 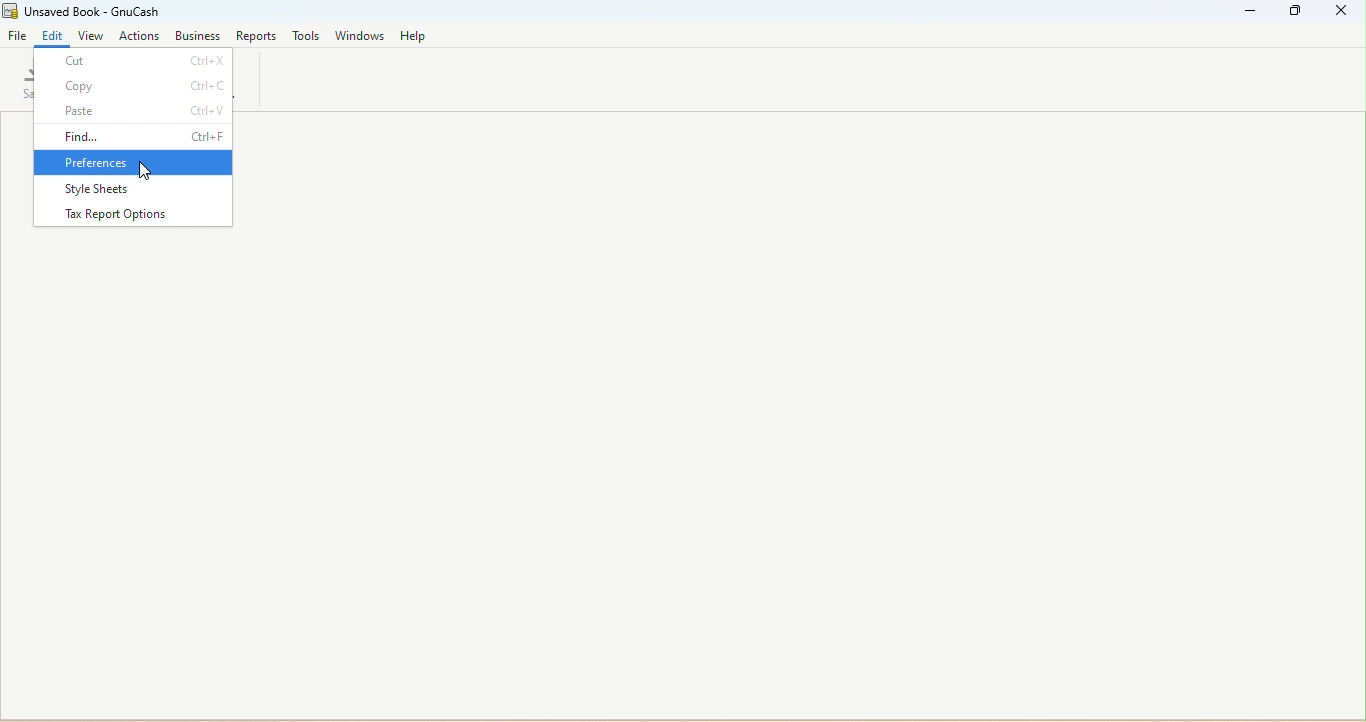 I want to click on Preferences, so click(x=133, y=163).